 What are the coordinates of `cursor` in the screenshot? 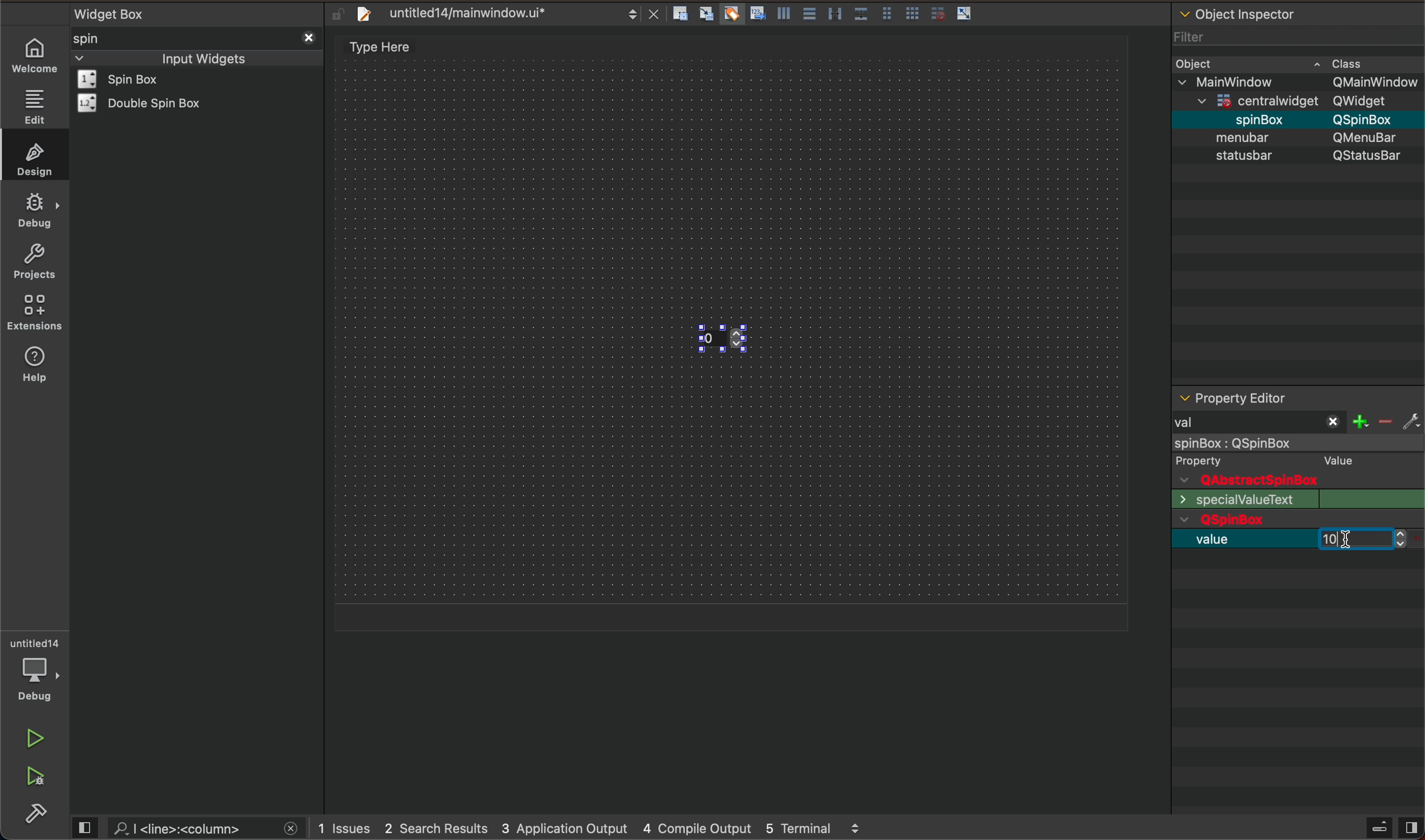 It's located at (1351, 548).